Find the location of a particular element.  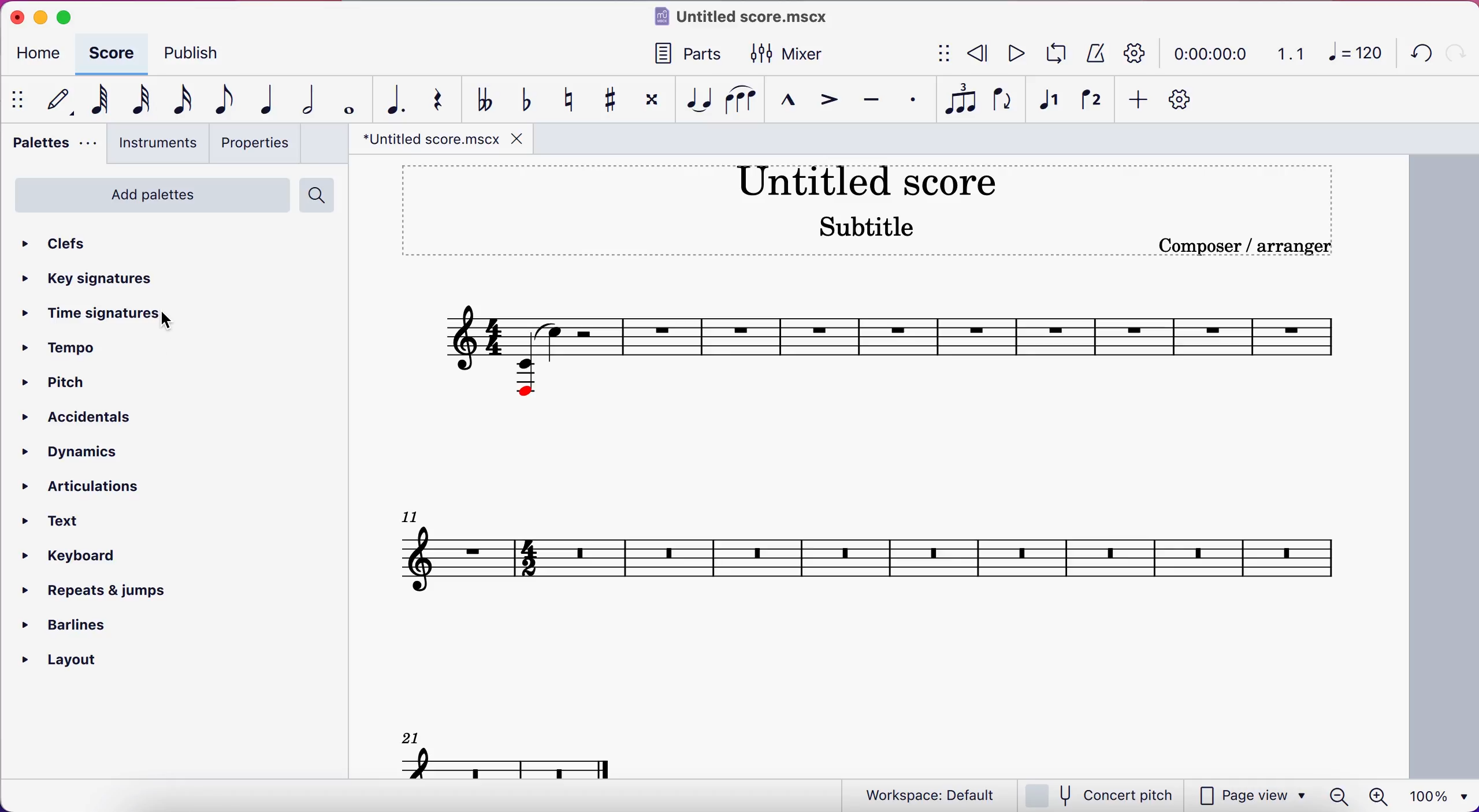

keyboard is located at coordinates (72, 556).